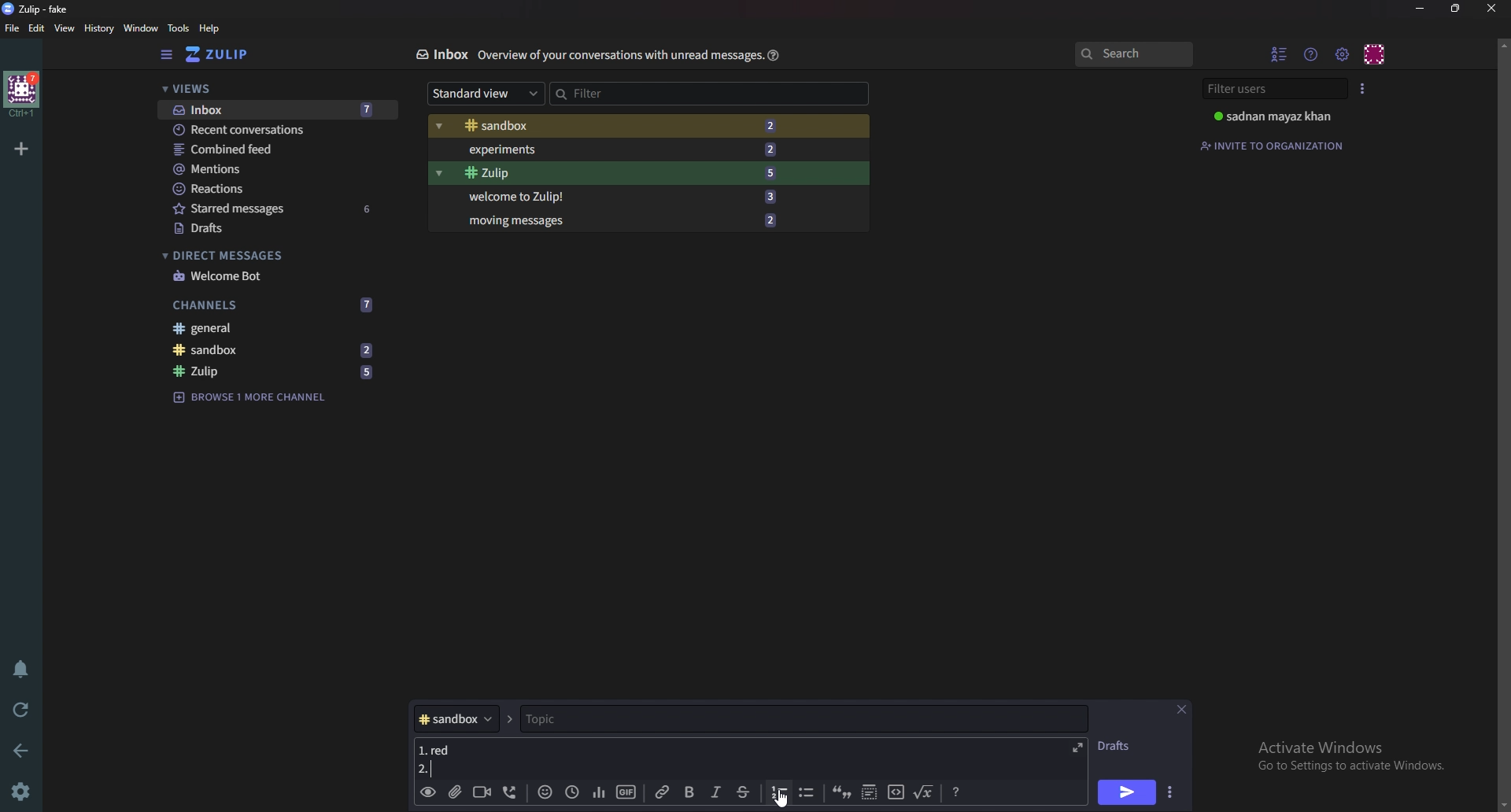 The image size is (1511, 812). Describe the element at coordinates (596, 792) in the screenshot. I see `poll` at that location.